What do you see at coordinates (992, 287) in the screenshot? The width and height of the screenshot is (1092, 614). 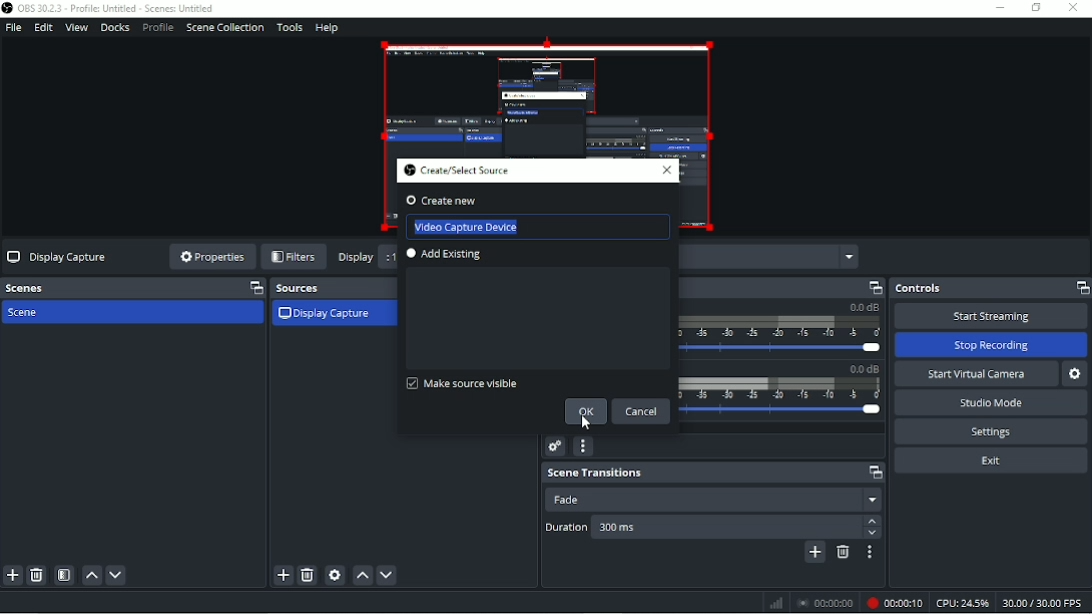 I see `Controls` at bounding box center [992, 287].